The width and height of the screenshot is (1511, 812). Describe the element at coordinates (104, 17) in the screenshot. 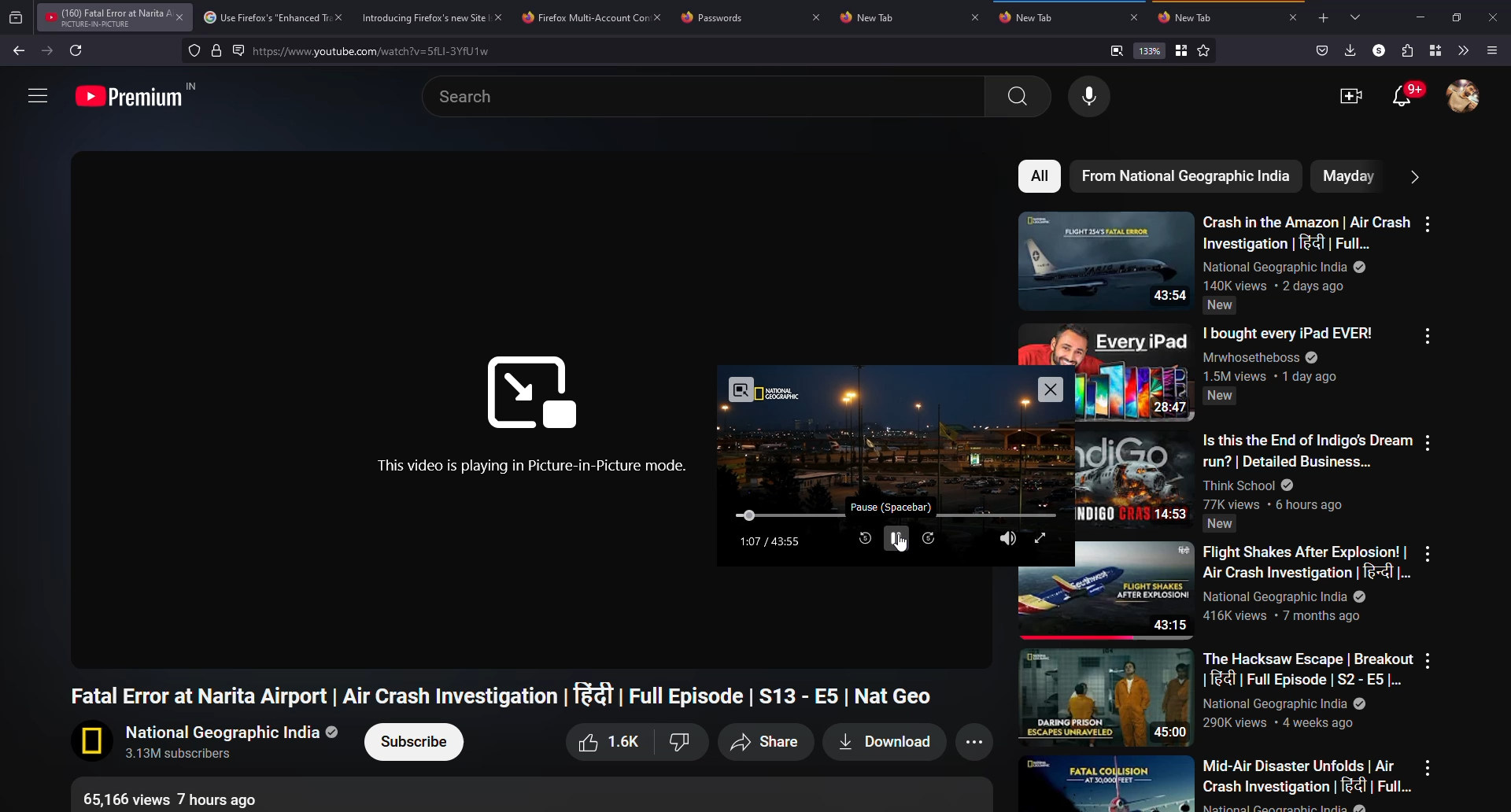

I see `YouTube tab` at that location.